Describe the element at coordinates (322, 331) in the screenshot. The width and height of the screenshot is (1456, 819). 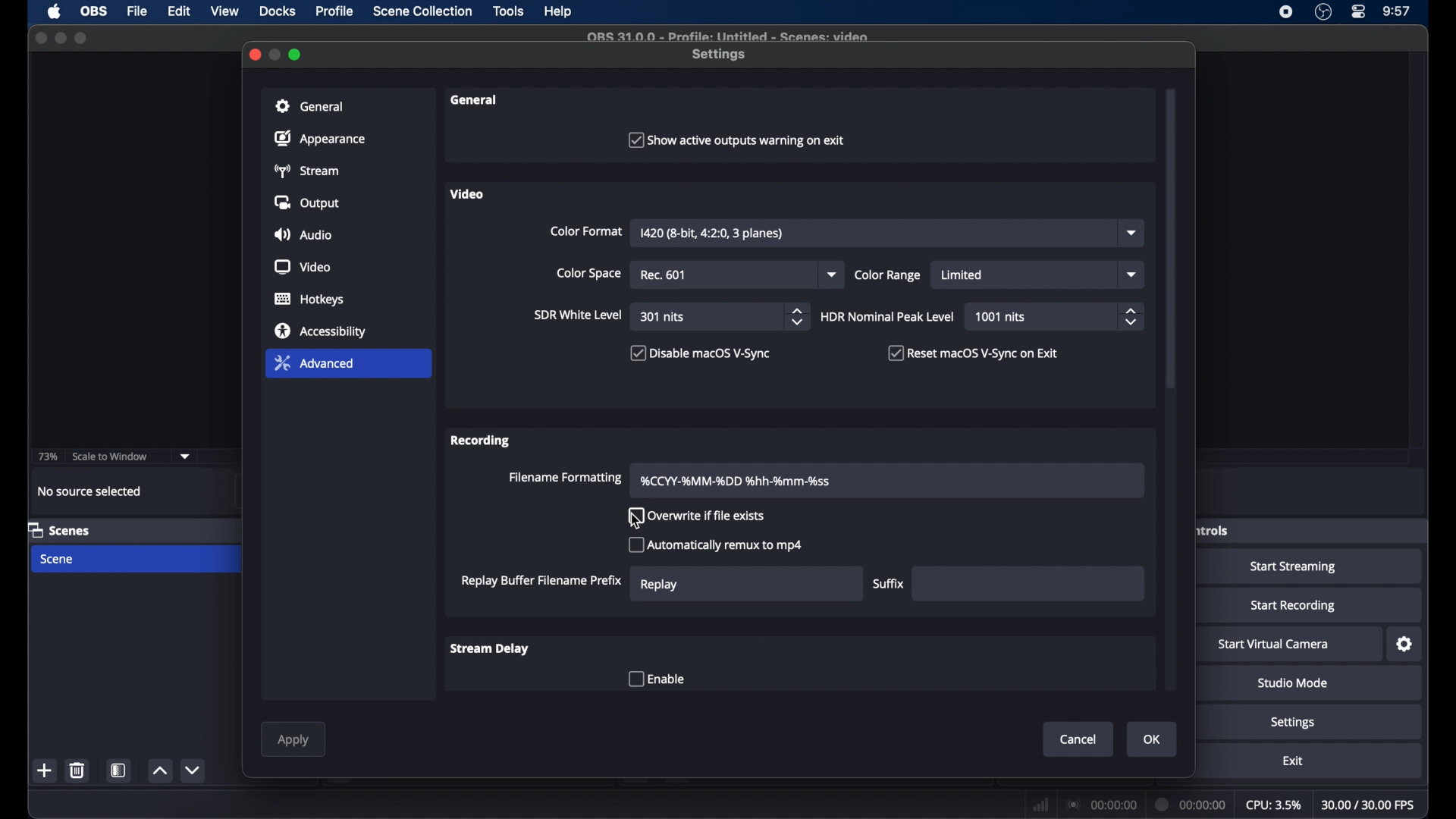
I see `accessibility ` at that location.